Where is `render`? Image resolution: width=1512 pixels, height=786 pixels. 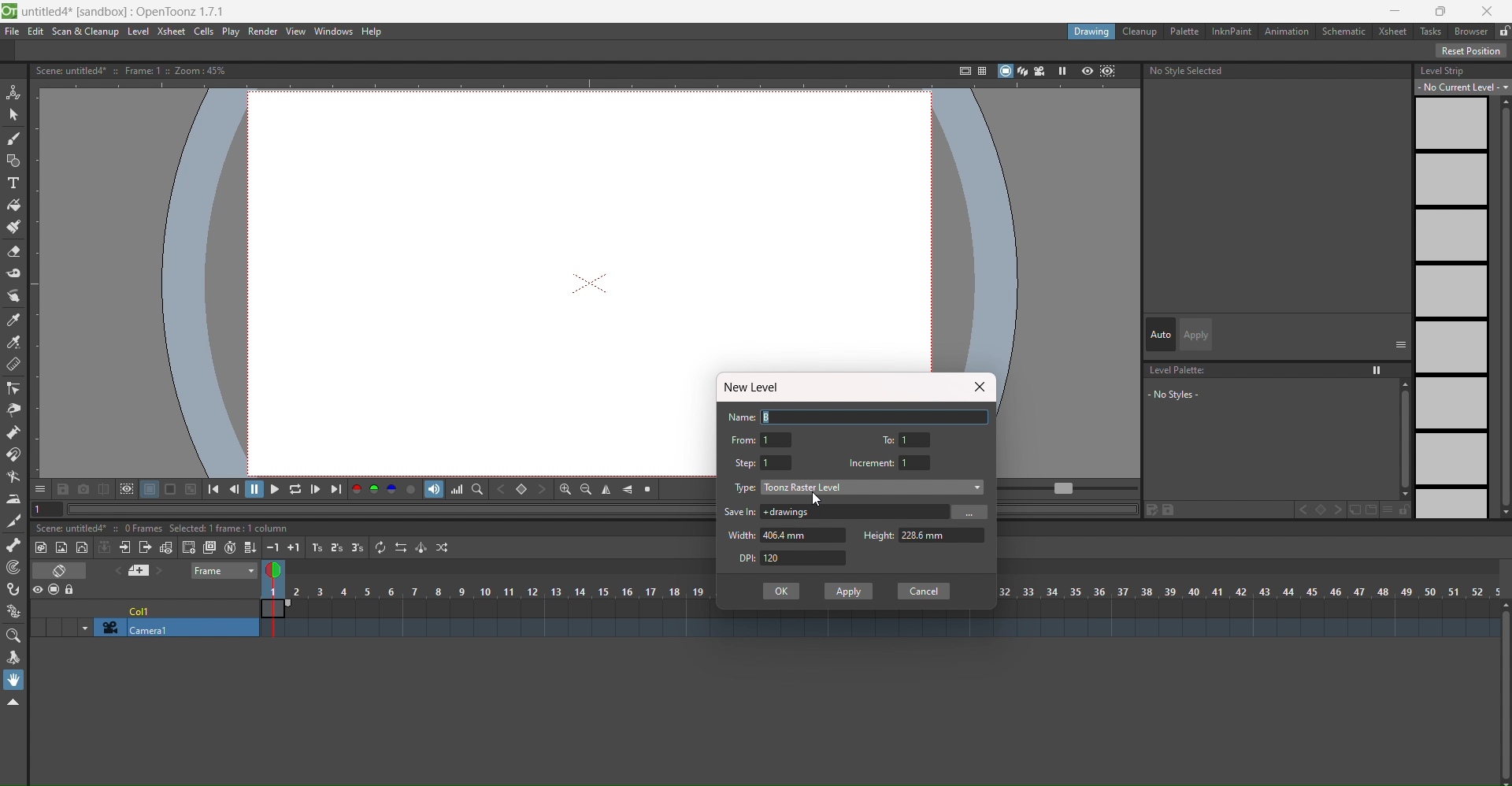
render is located at coordinates (265, 32).